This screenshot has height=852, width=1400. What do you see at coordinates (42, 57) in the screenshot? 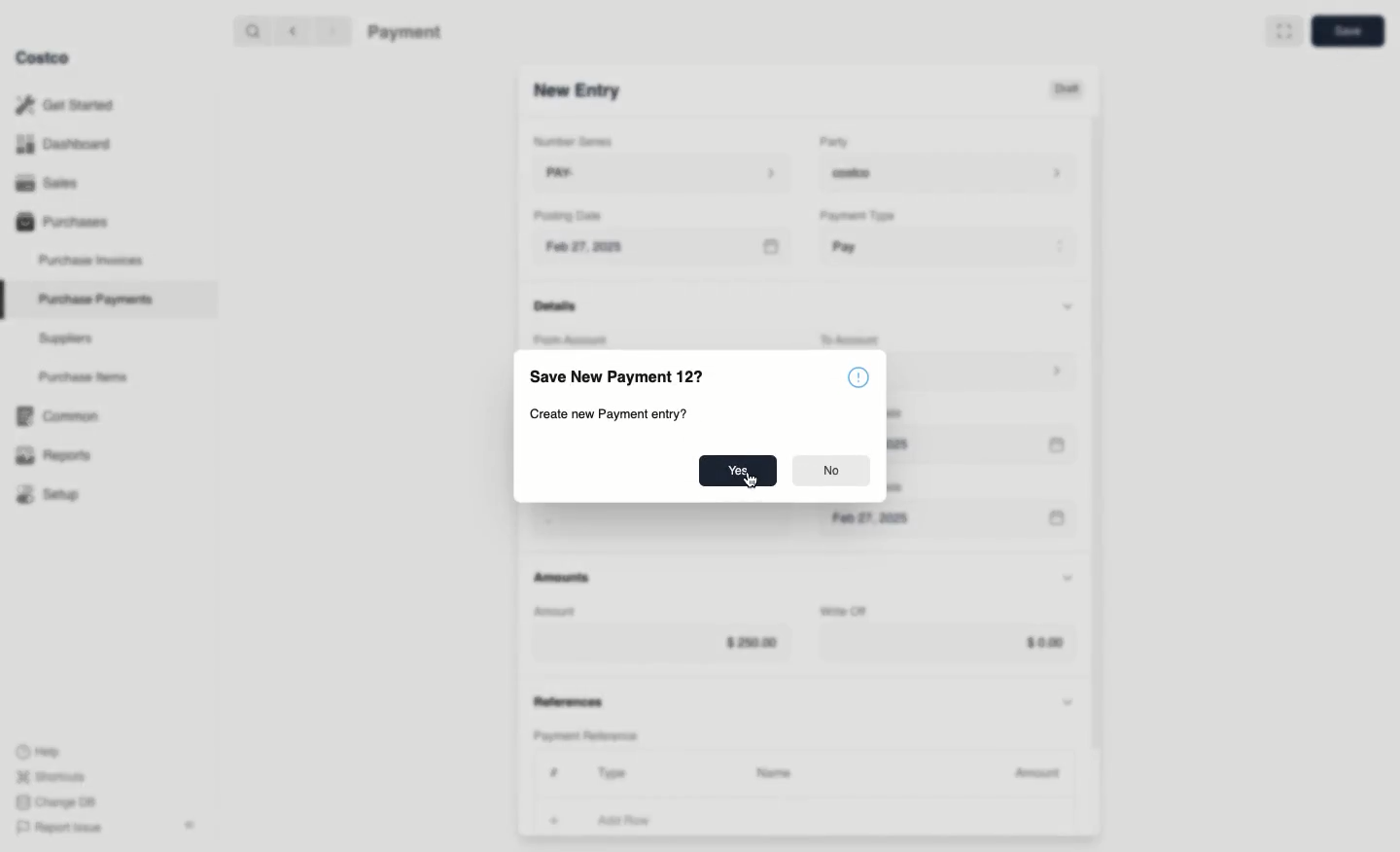
I see `Costco` at bounding box center [42, 57].